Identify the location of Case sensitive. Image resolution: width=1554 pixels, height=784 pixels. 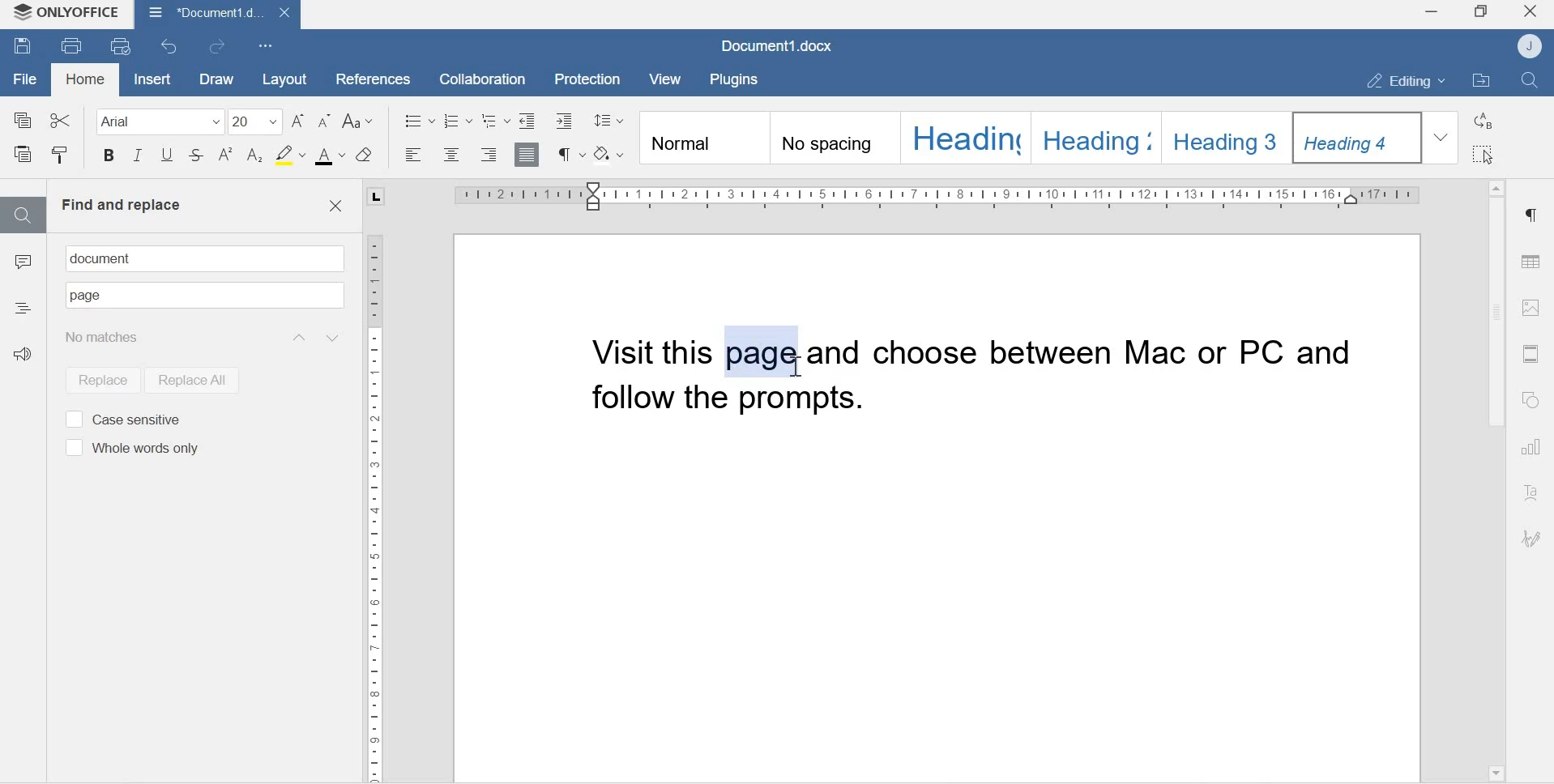
(122, 418).